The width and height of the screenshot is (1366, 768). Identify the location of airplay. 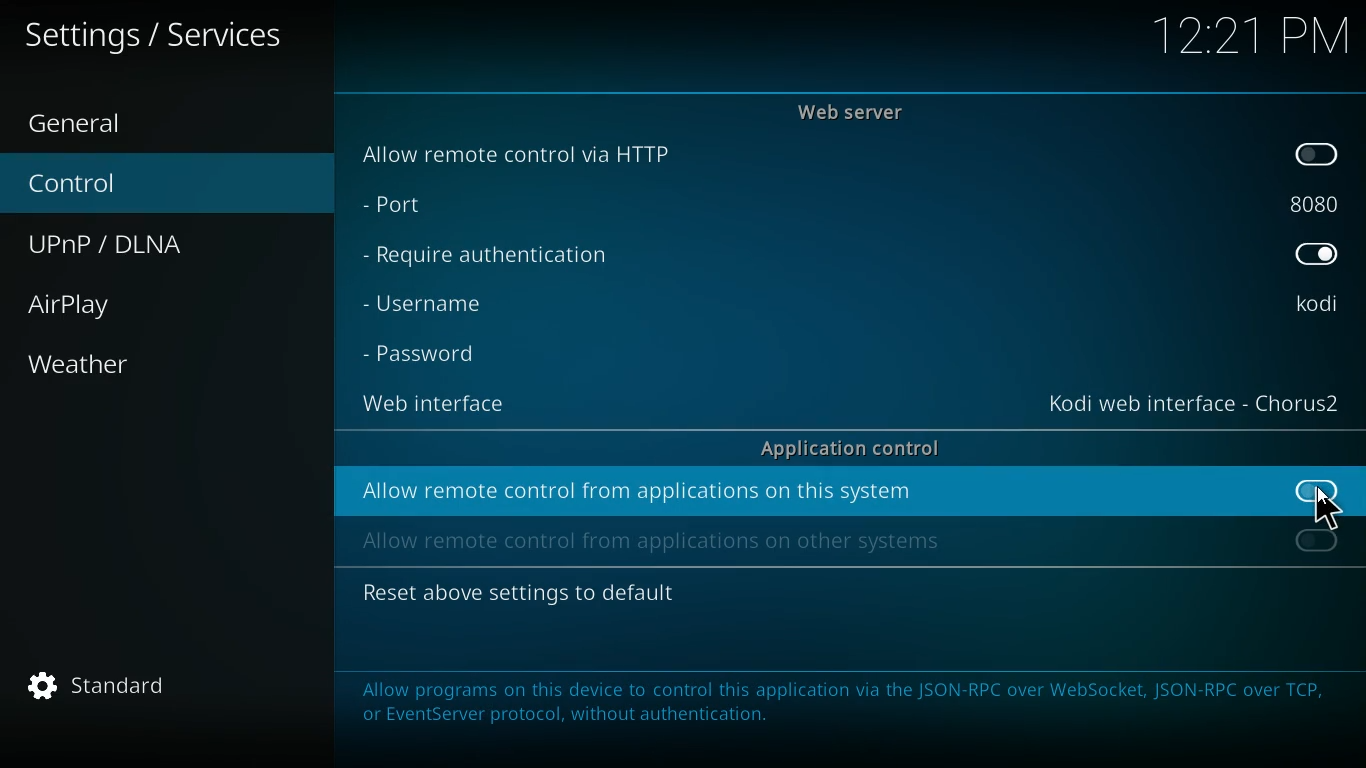
(169, 310).